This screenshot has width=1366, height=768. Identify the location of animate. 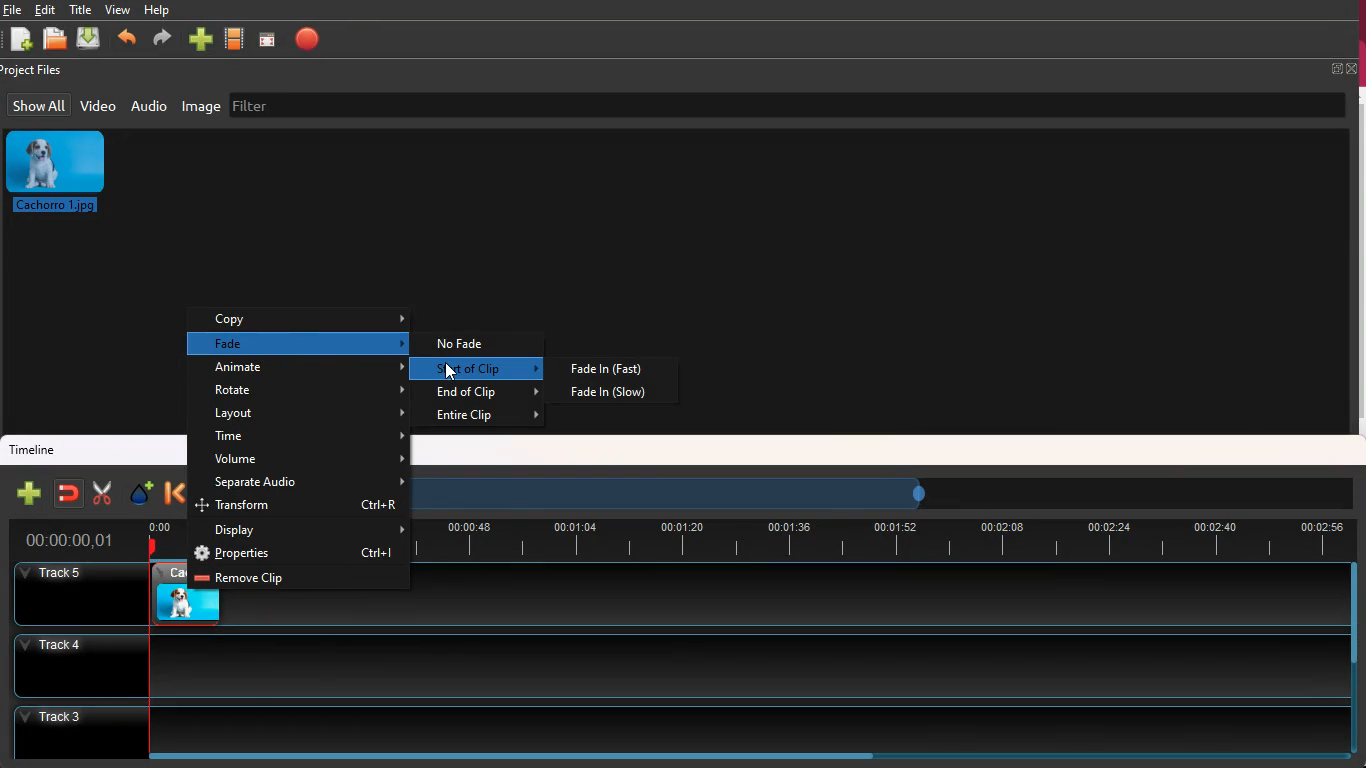
(312, 369).